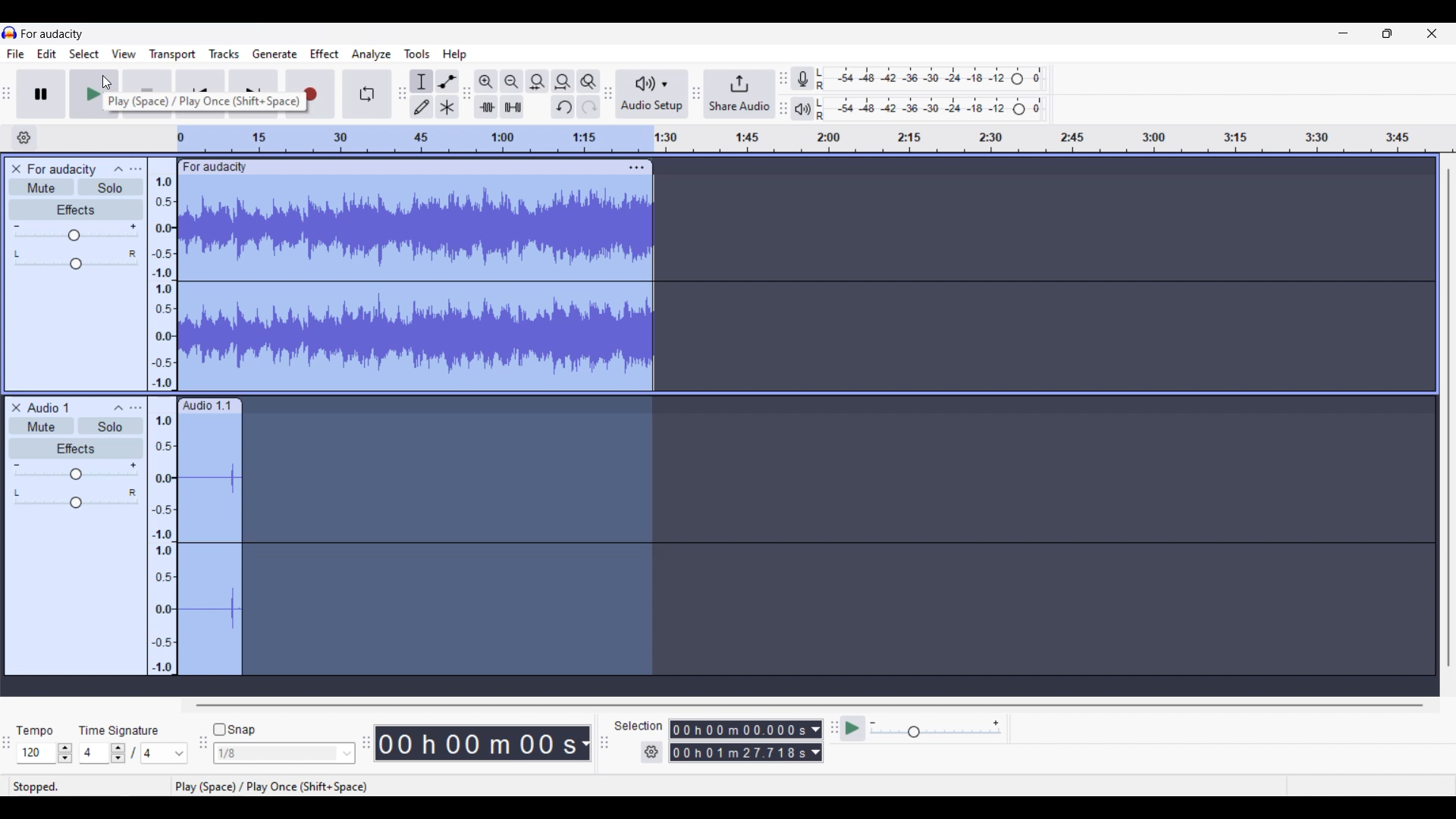 Image resolution: width=1456 pixels, height=819 pixels. I want to click on Select, so click(84, 53).